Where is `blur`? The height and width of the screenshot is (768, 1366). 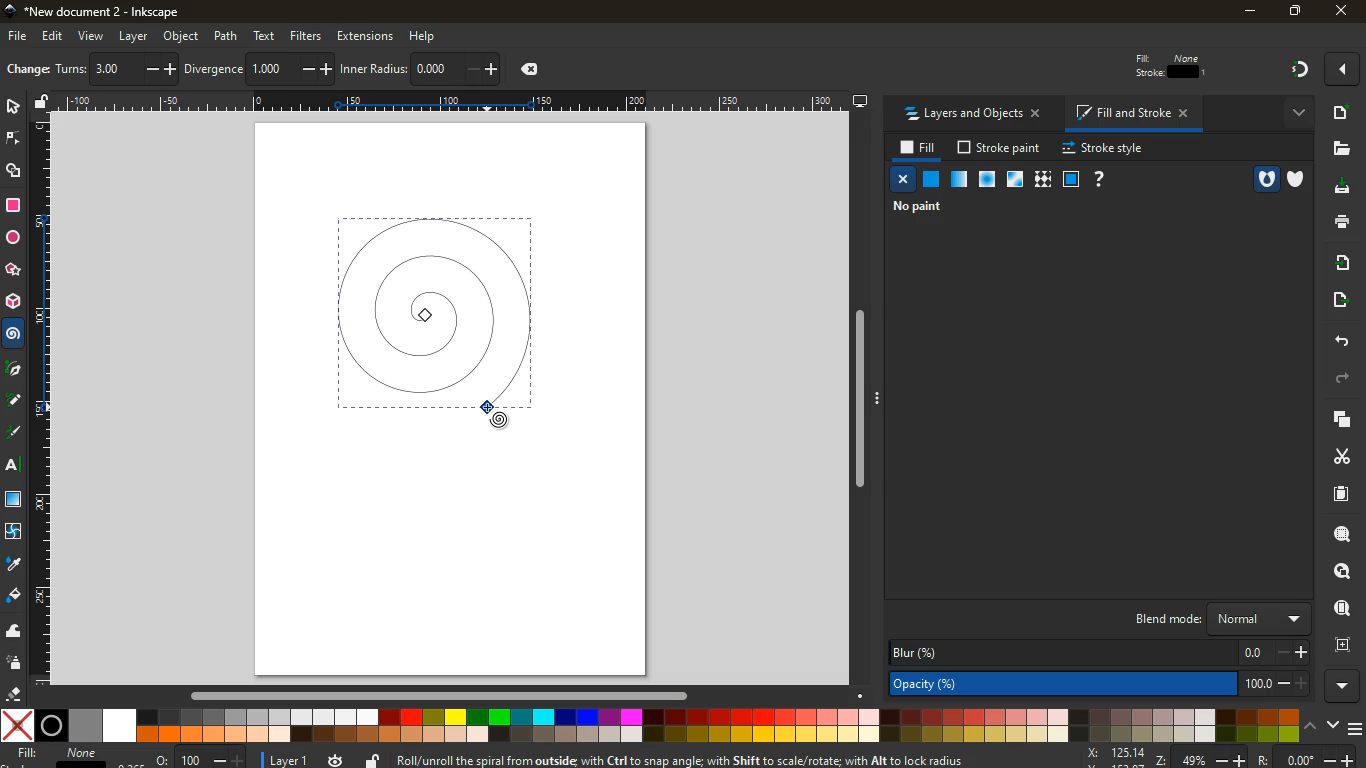
blur is located at coordinates (1098, 653).